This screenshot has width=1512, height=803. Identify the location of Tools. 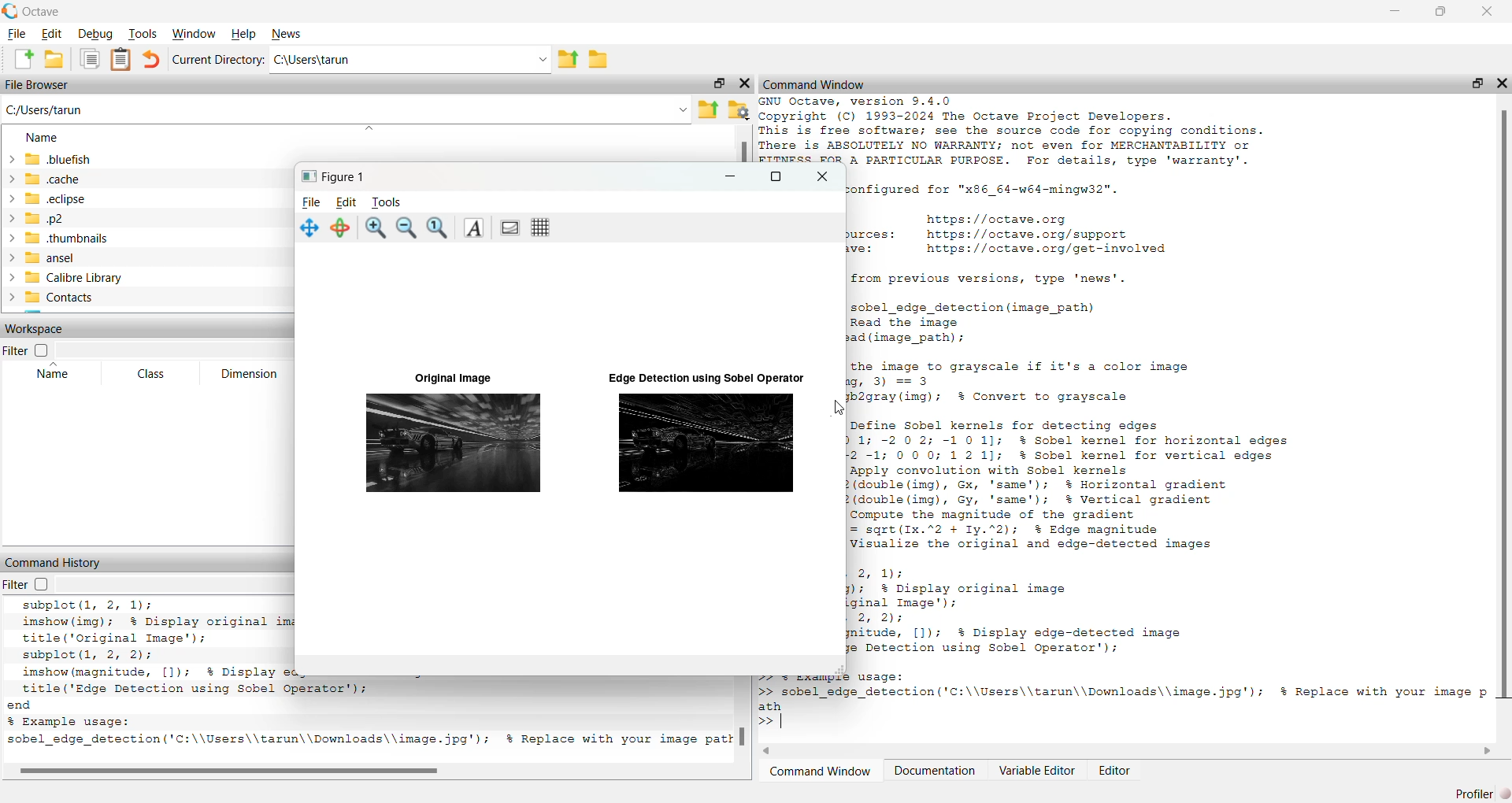
(143, 34).